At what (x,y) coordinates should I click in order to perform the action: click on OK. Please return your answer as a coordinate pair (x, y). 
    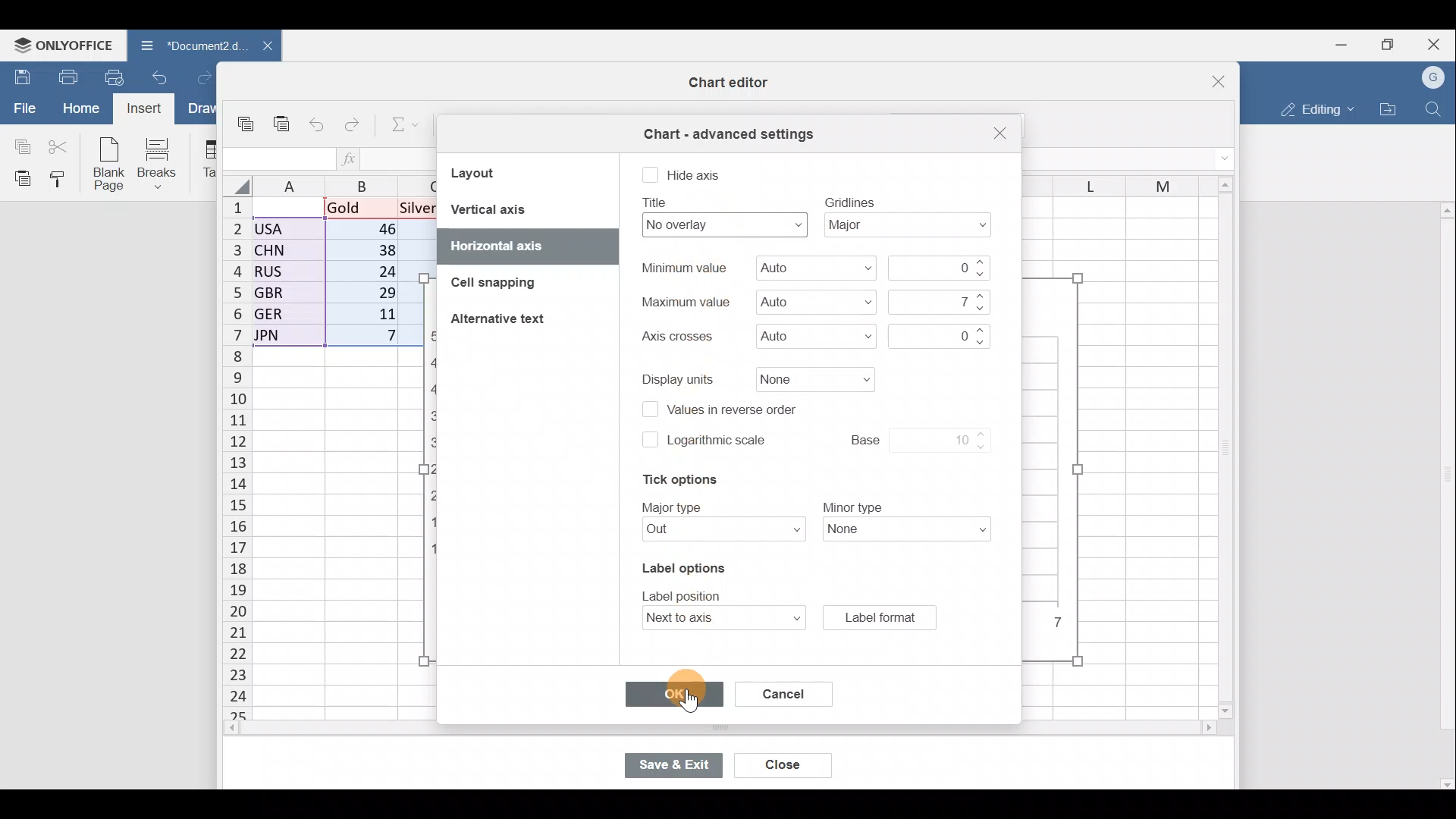
    Looking at the image, I should click on (672, 695).